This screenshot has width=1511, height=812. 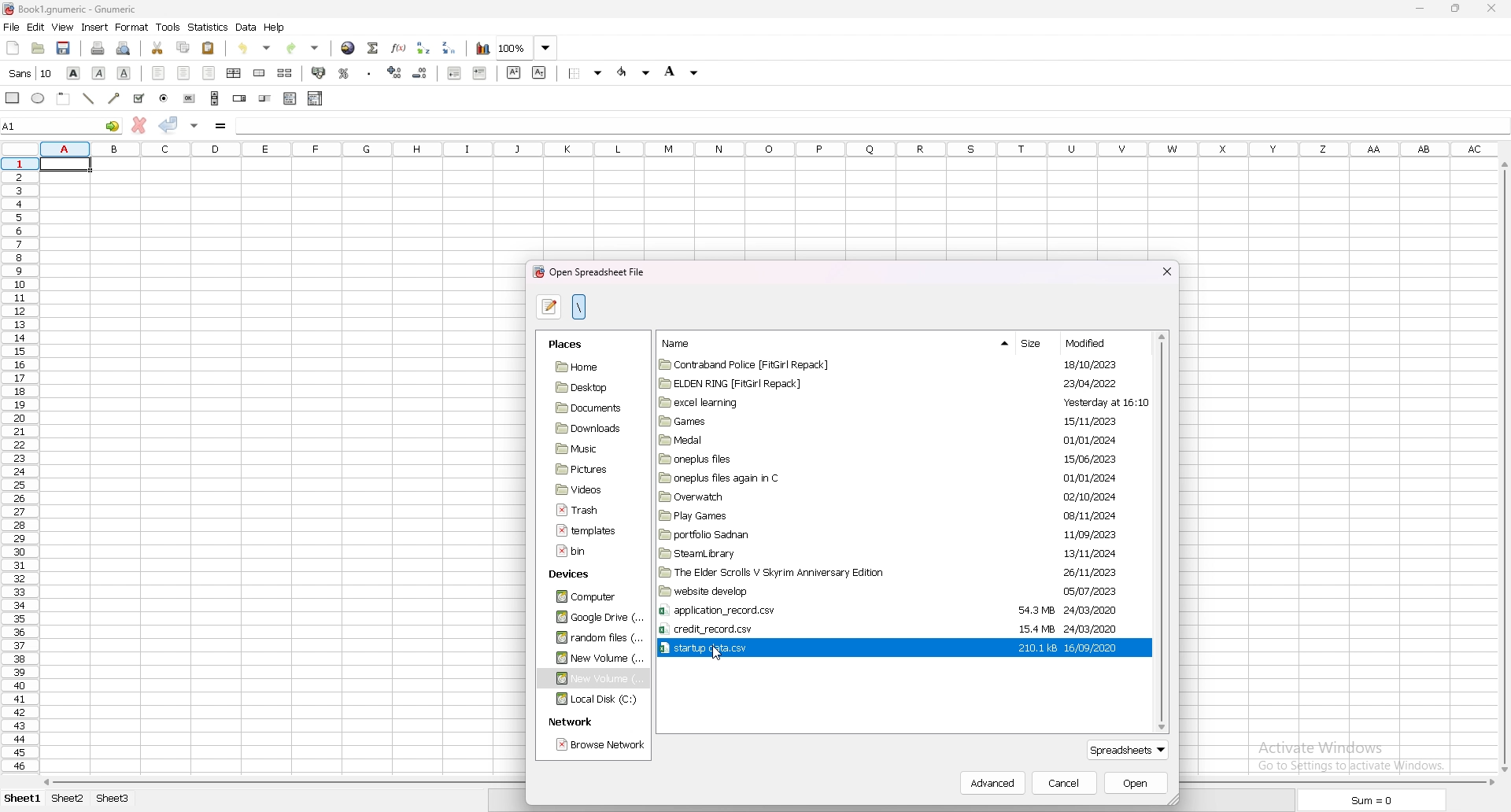 What do you see at coordinates (1088, 458) in the screenshot?
I see `15/06/2023` at bounding box center [1088, 458].